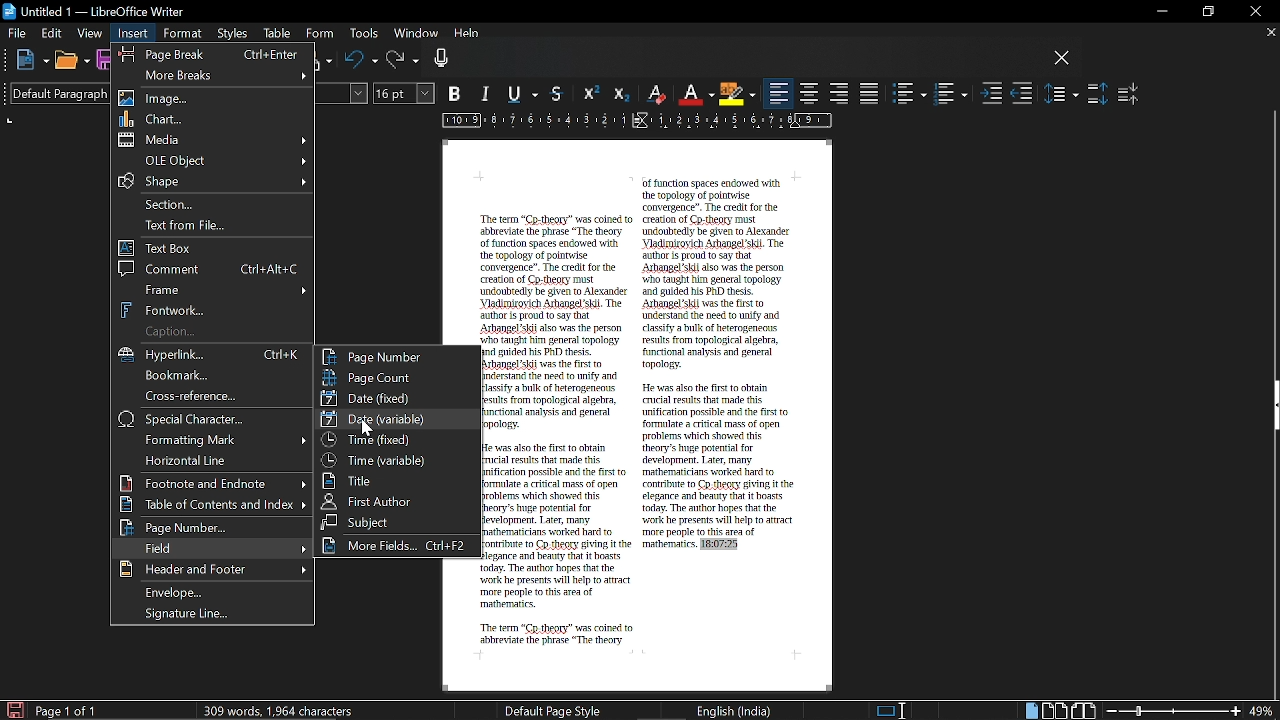 The height and width of the screenshot is (720, 1280). I want to click on Comment, so click(212, 268).